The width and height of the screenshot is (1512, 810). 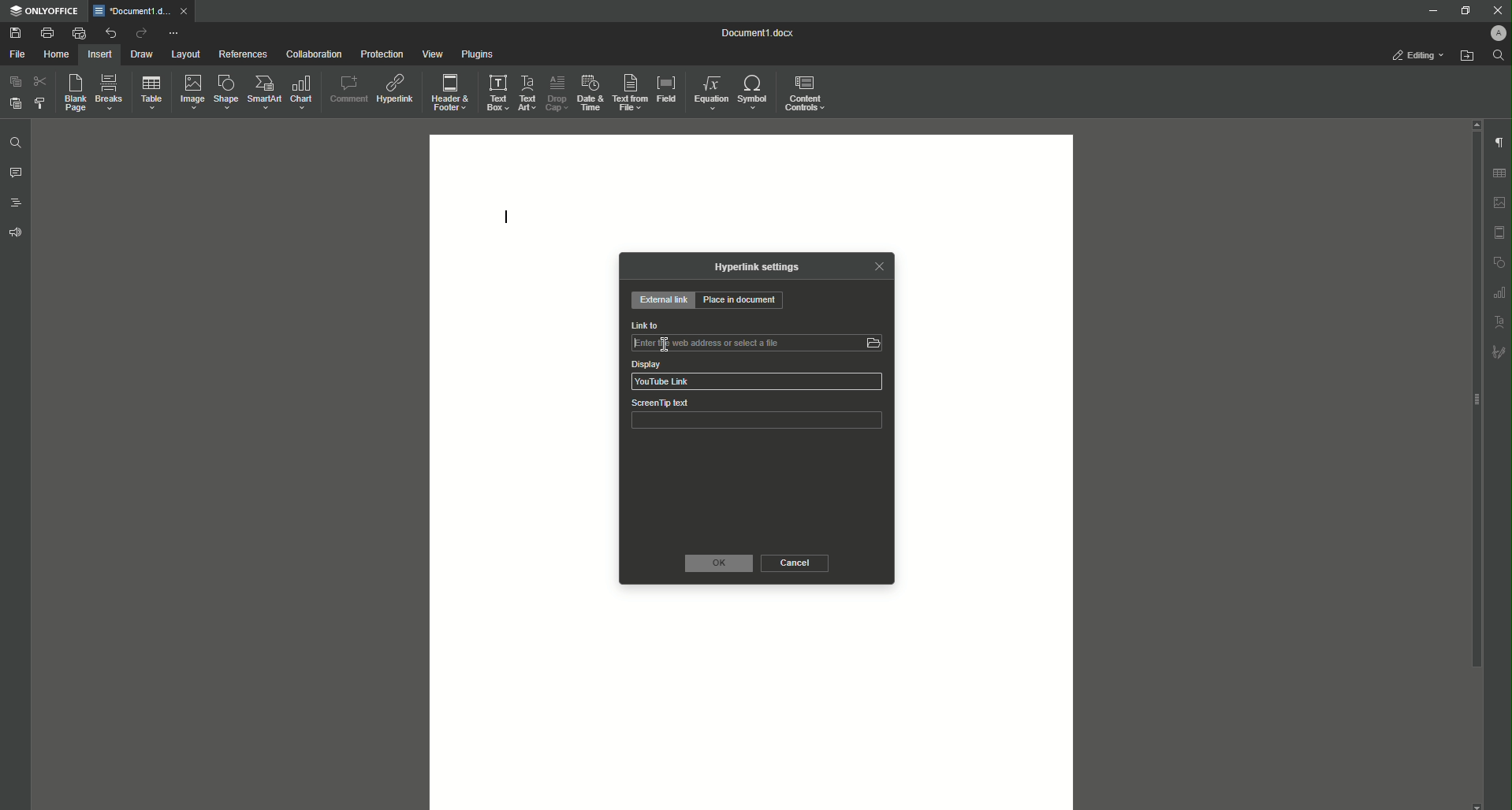 What do you see at coordinates (808, 93) in the screenshot?
I see `Content Controls` at bounding box center [808, 93].